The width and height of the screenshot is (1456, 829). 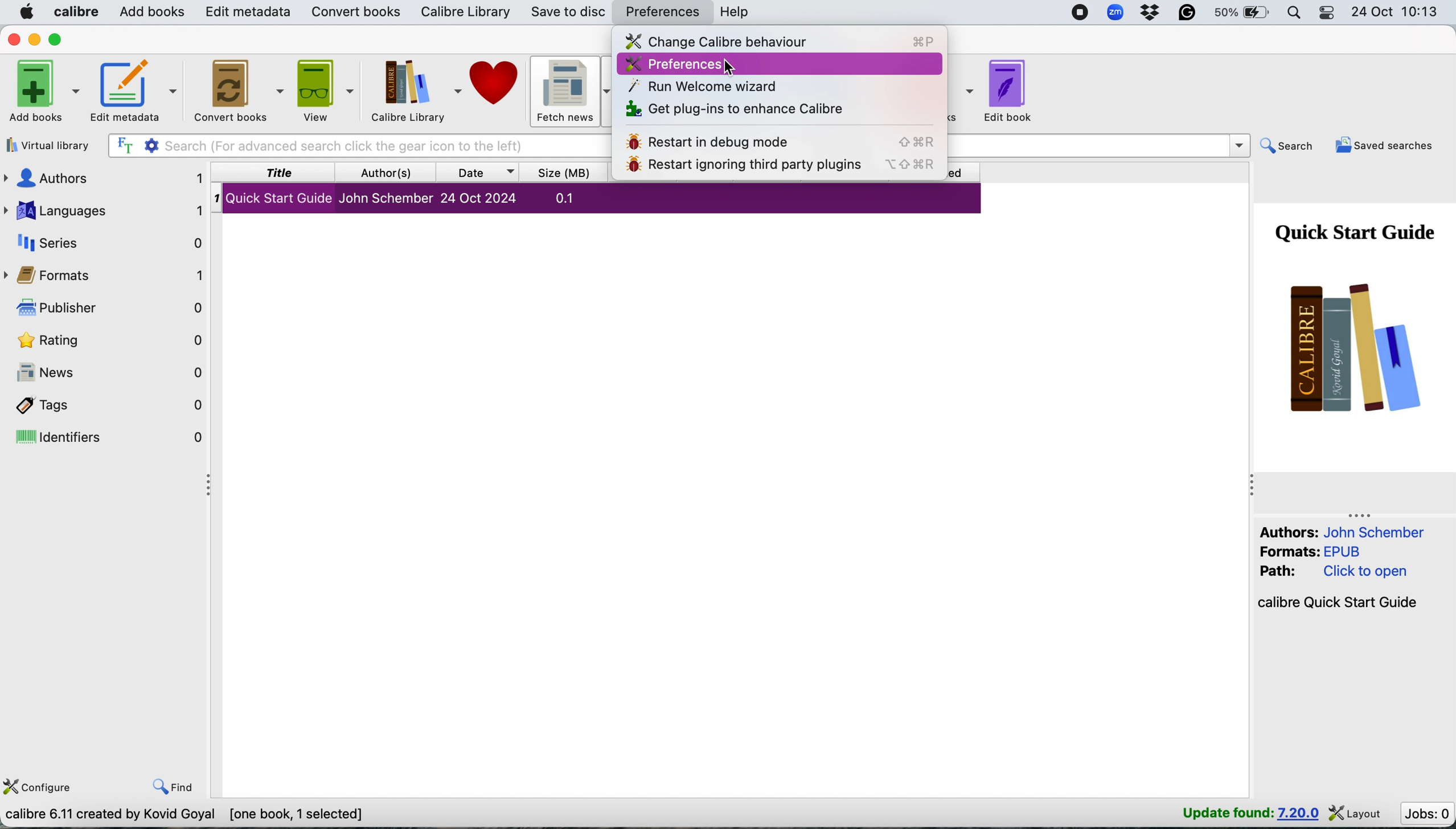 I want to click on get plug ins to enhance calibre, so click(x=739, y=107).